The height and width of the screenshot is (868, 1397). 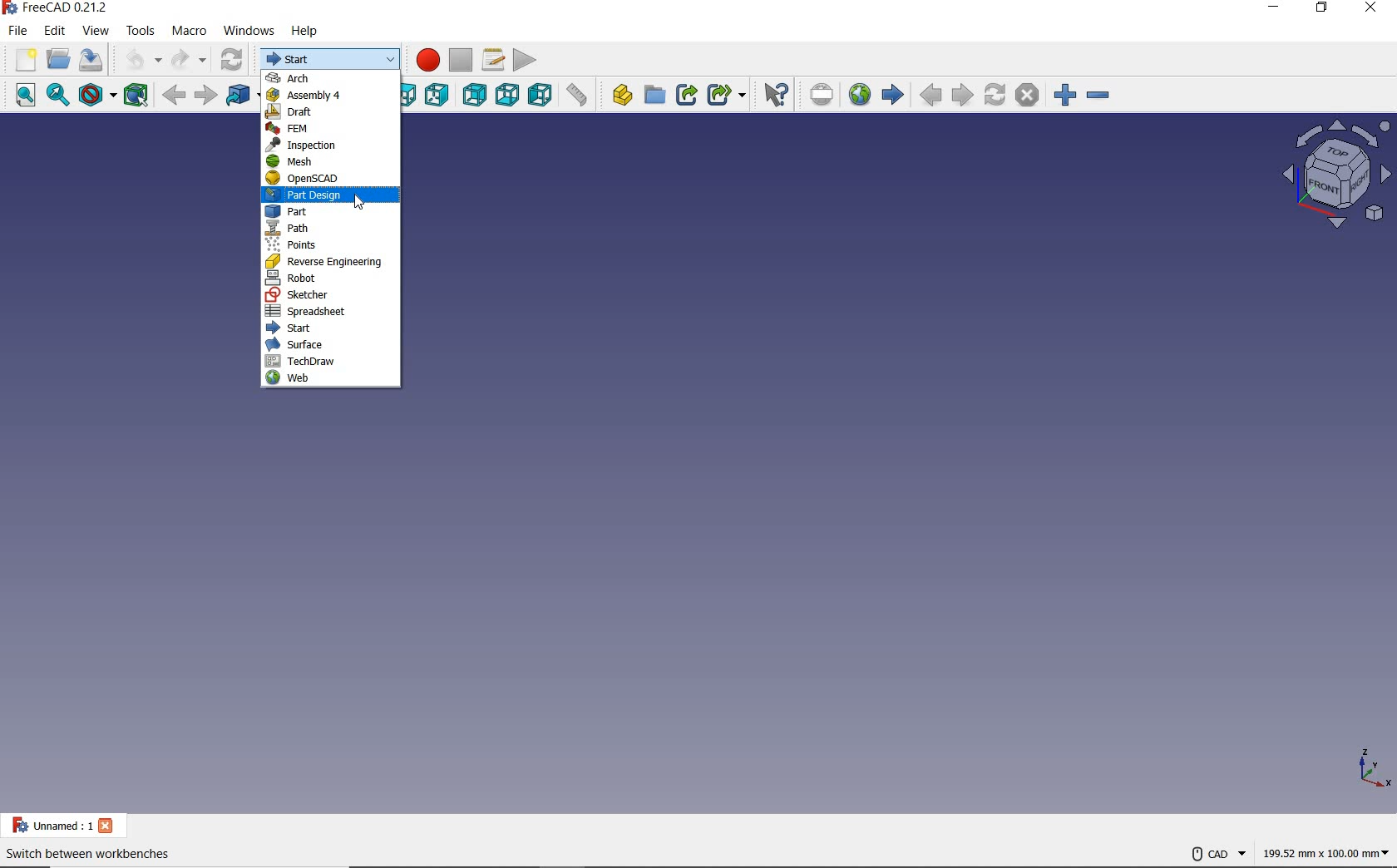 I want to click on WEB, so click(x=331, y=381).